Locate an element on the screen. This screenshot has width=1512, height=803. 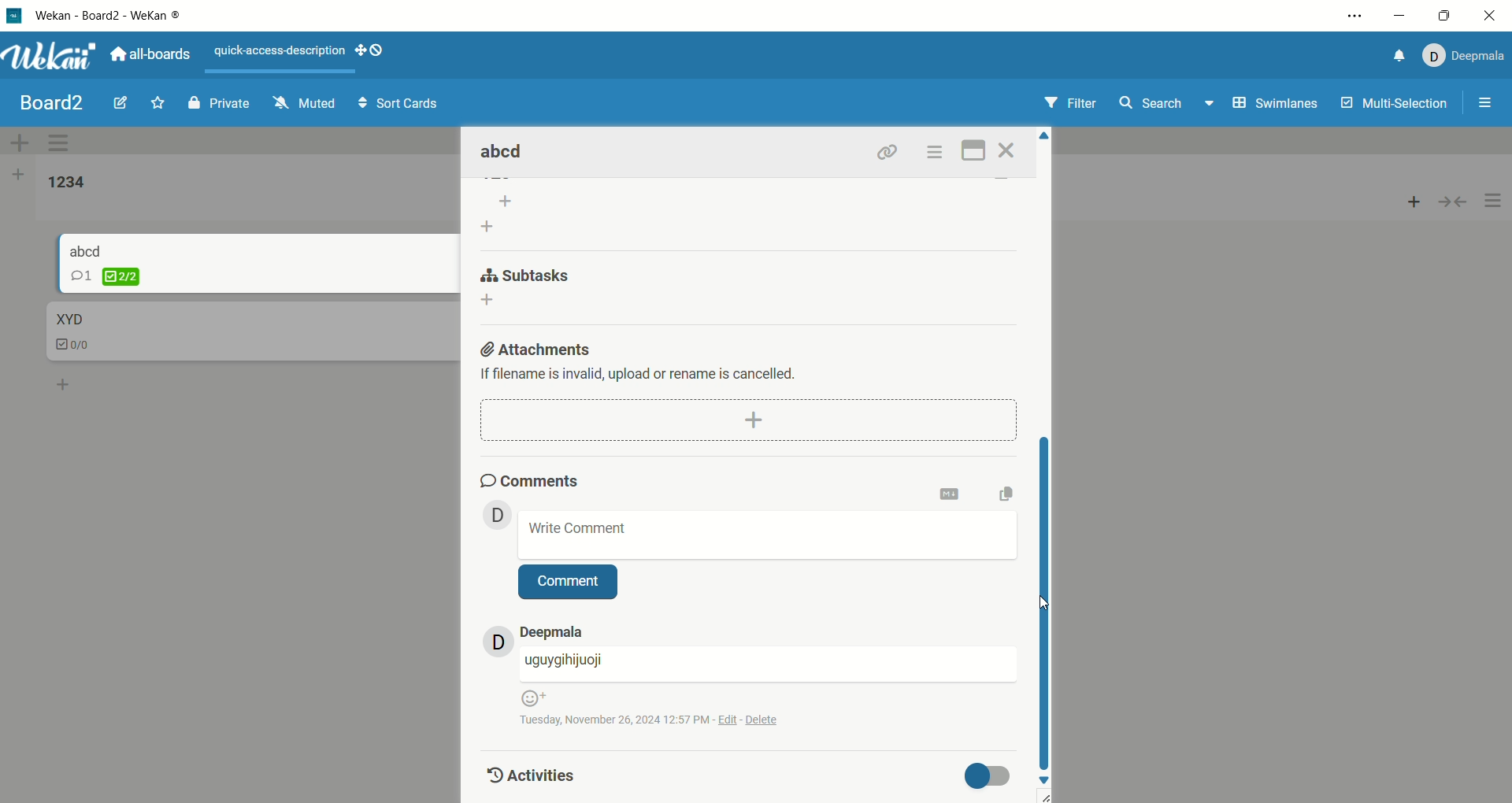
show-desktop-drag-handles is located at coordinates (372, 50).